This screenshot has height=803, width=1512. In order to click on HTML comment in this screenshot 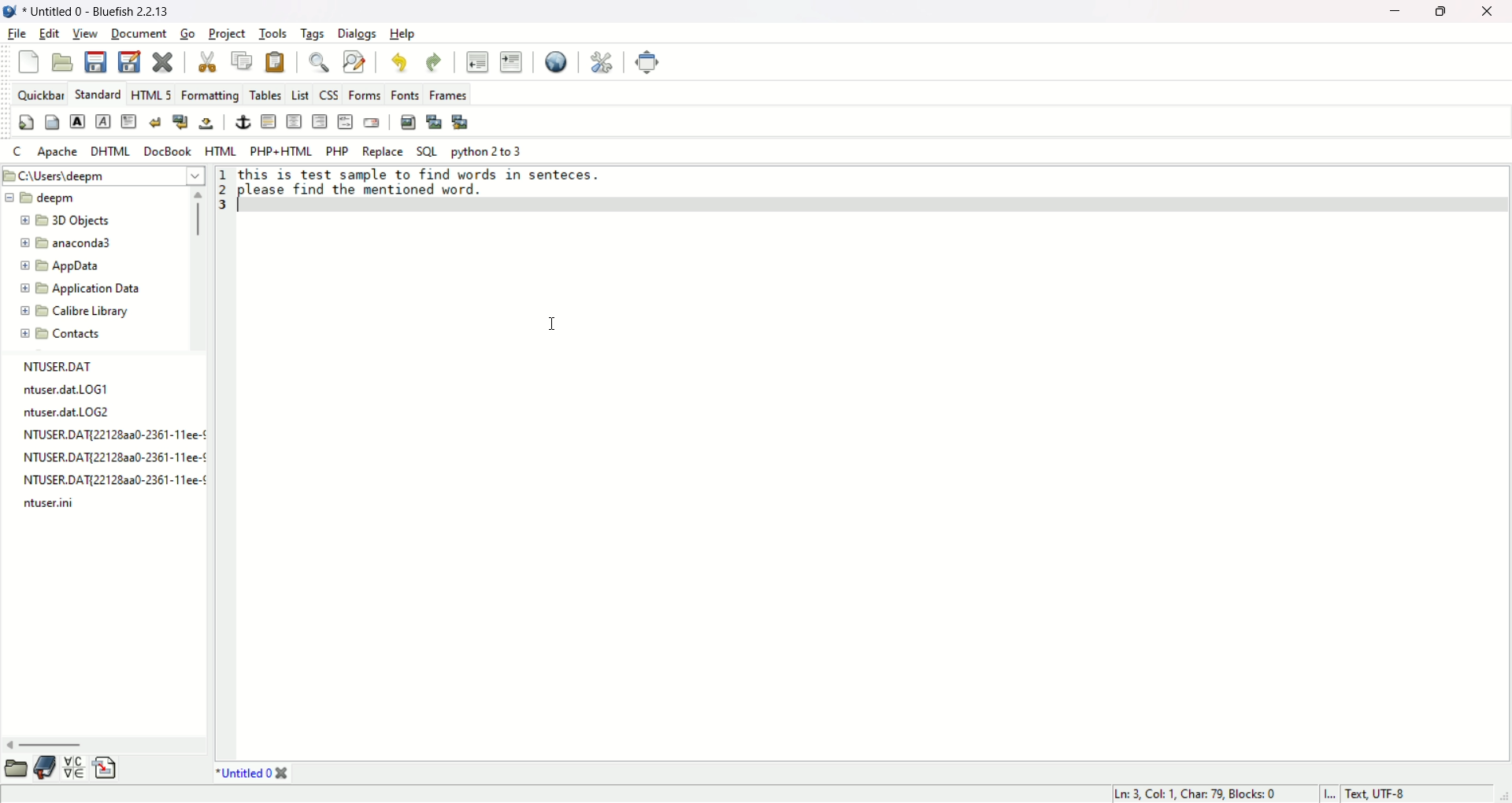, I will do `click(344, 121)`.